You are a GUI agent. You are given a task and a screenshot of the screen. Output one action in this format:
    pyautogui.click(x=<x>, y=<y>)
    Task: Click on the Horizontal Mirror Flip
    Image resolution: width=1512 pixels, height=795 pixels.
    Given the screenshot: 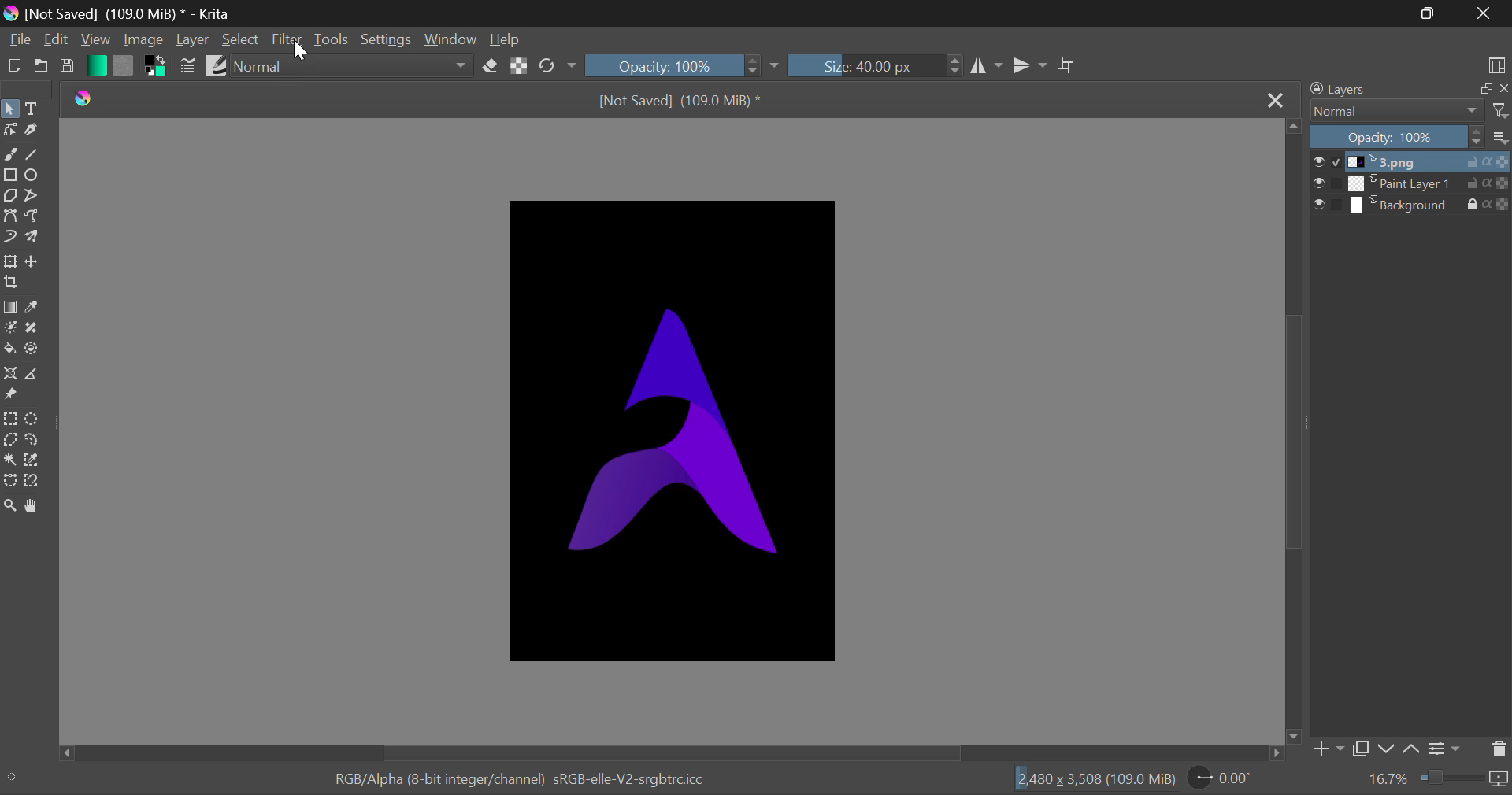 What is the action you would take?
    pyautogui.click(x=1029, y=65)
    